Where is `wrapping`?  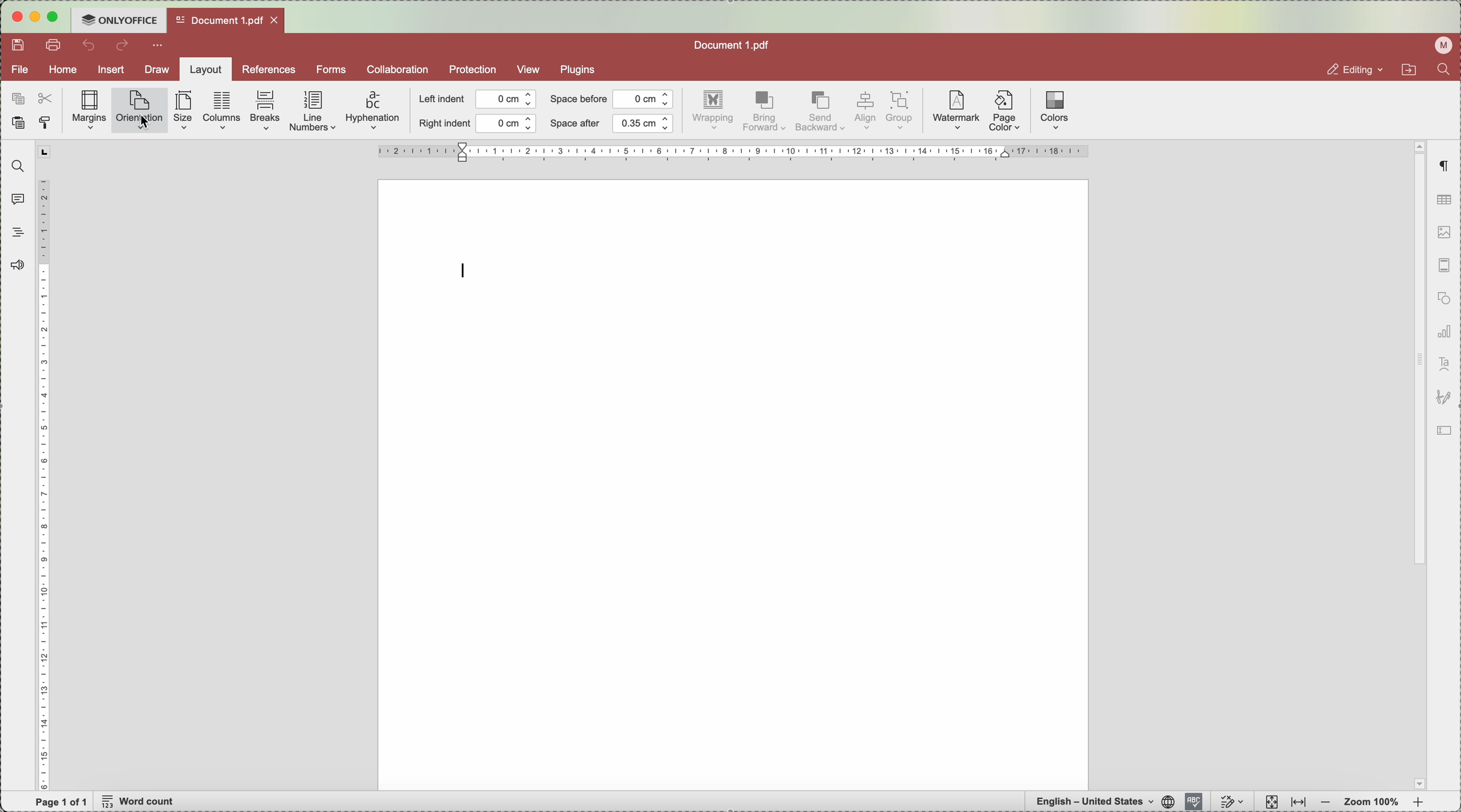 wrapping is located at coordinates (715, 112).